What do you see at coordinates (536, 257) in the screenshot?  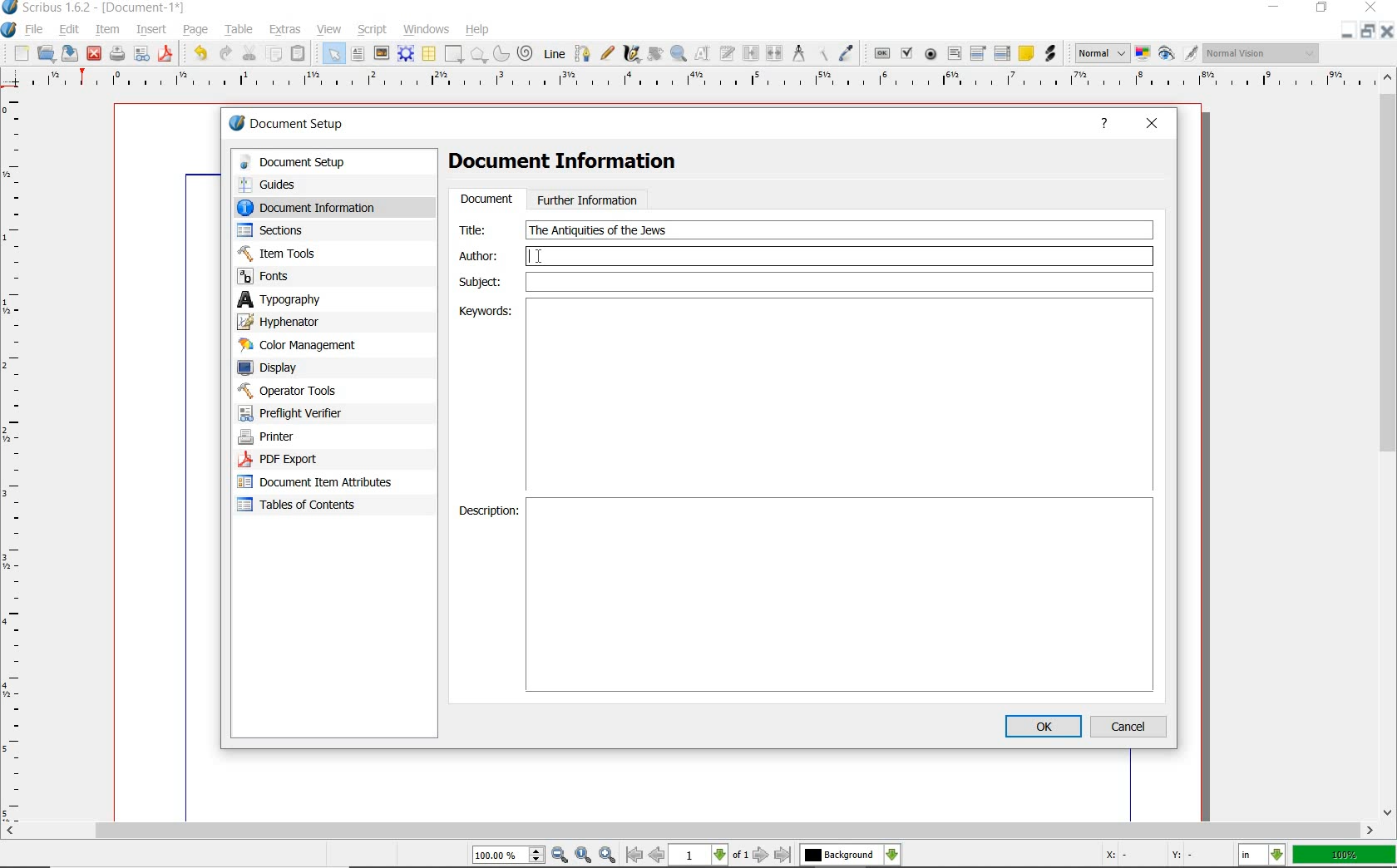 I see `editor` at bounding box center [536, 257].